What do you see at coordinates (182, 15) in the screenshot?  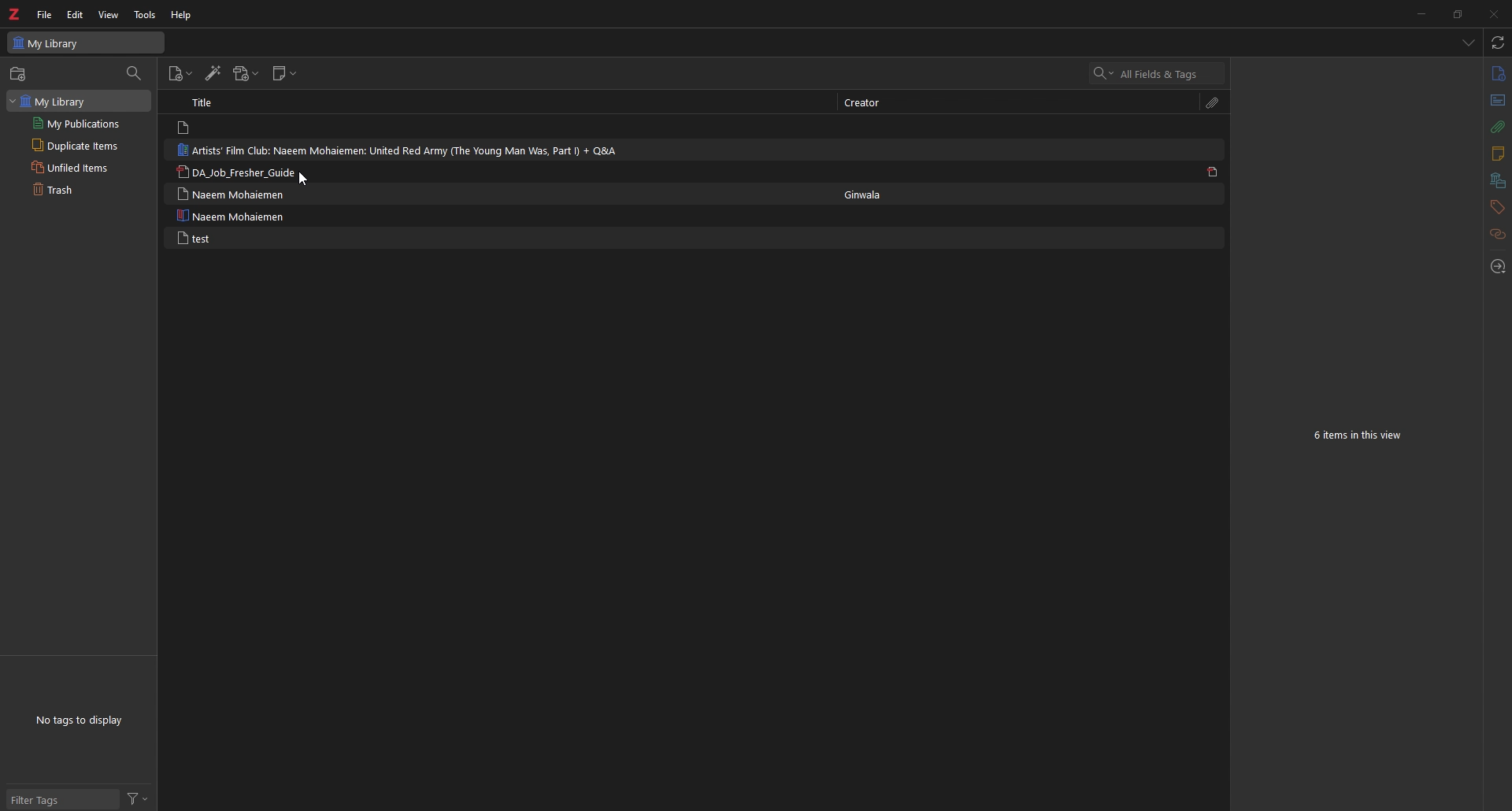 I see `help` at bounding box center [182, 15].